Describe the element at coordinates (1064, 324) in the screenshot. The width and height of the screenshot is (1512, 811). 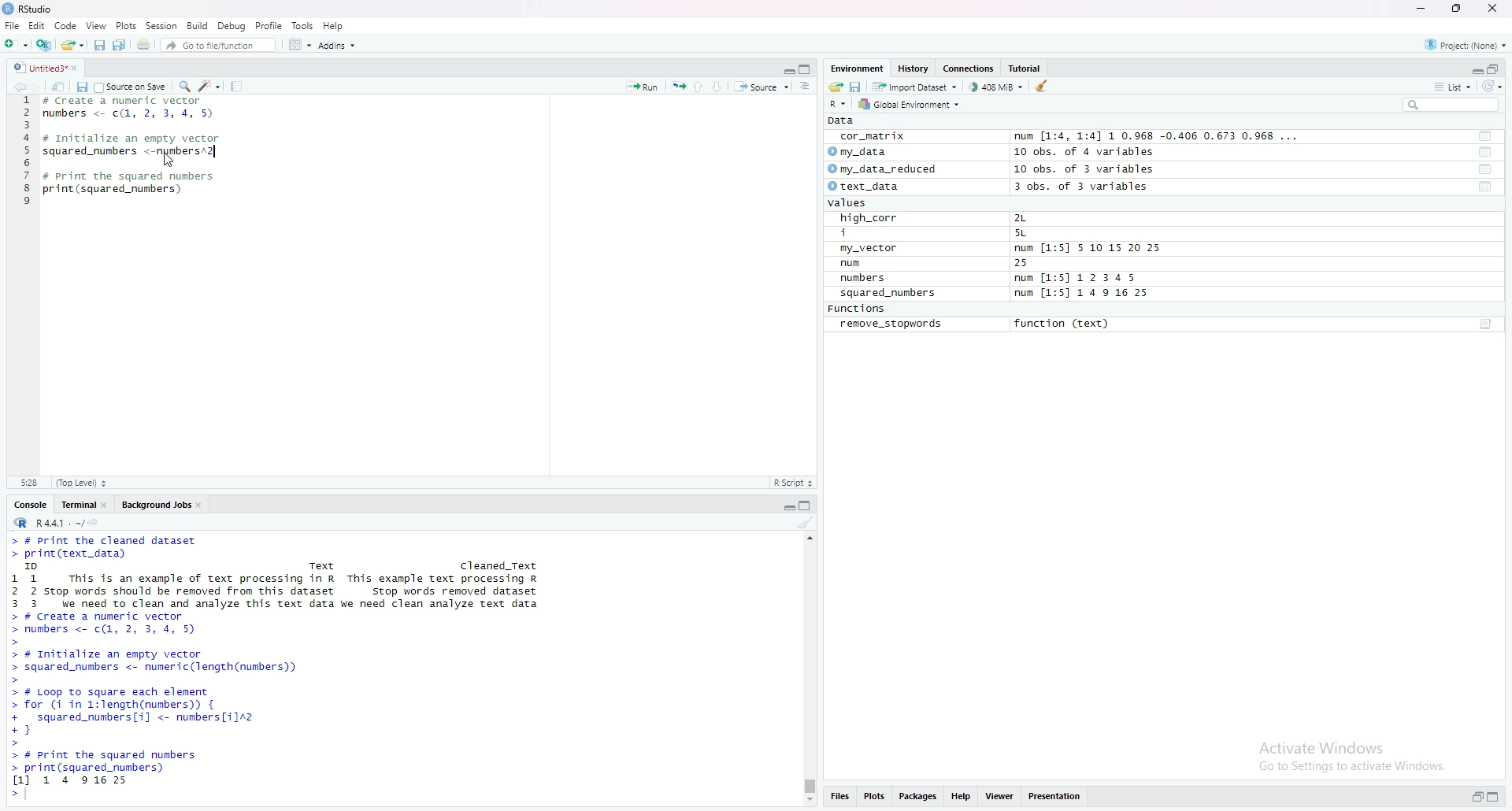
I see `function (text)` at that location.